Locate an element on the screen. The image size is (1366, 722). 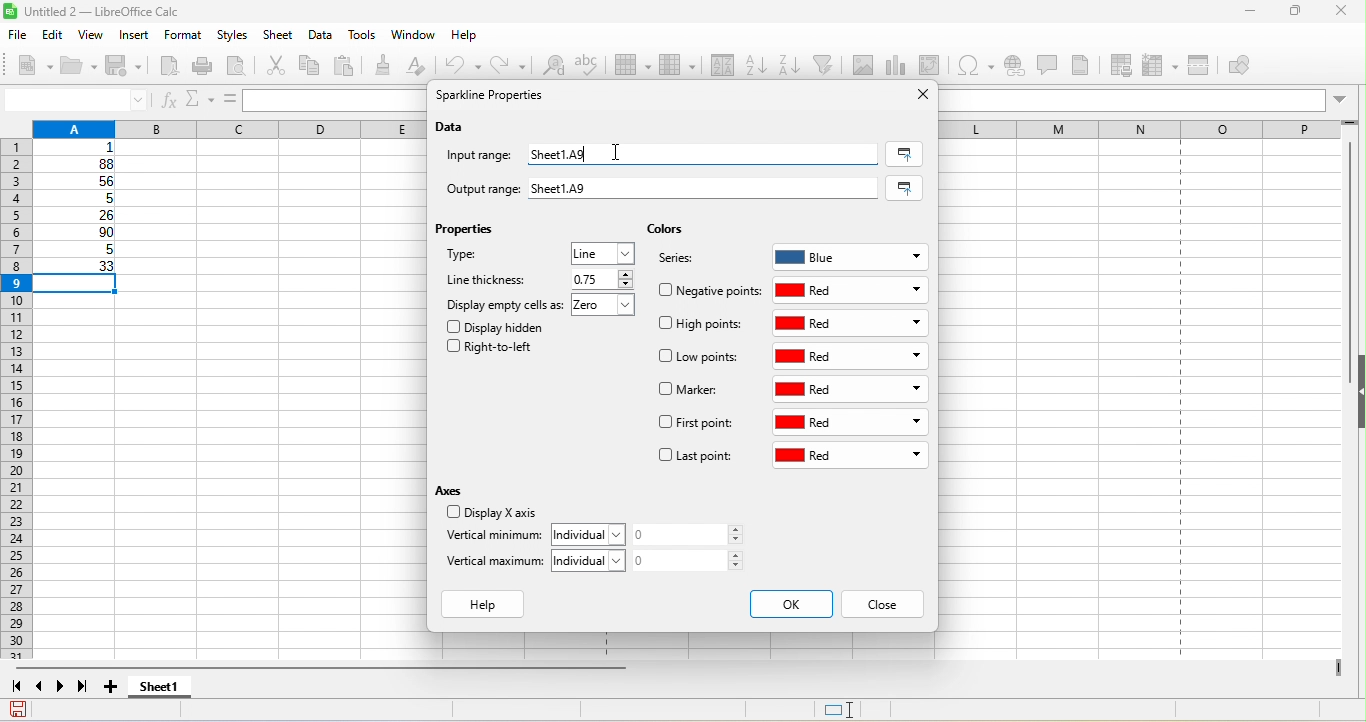
axes is located at coordinates (453, 490).